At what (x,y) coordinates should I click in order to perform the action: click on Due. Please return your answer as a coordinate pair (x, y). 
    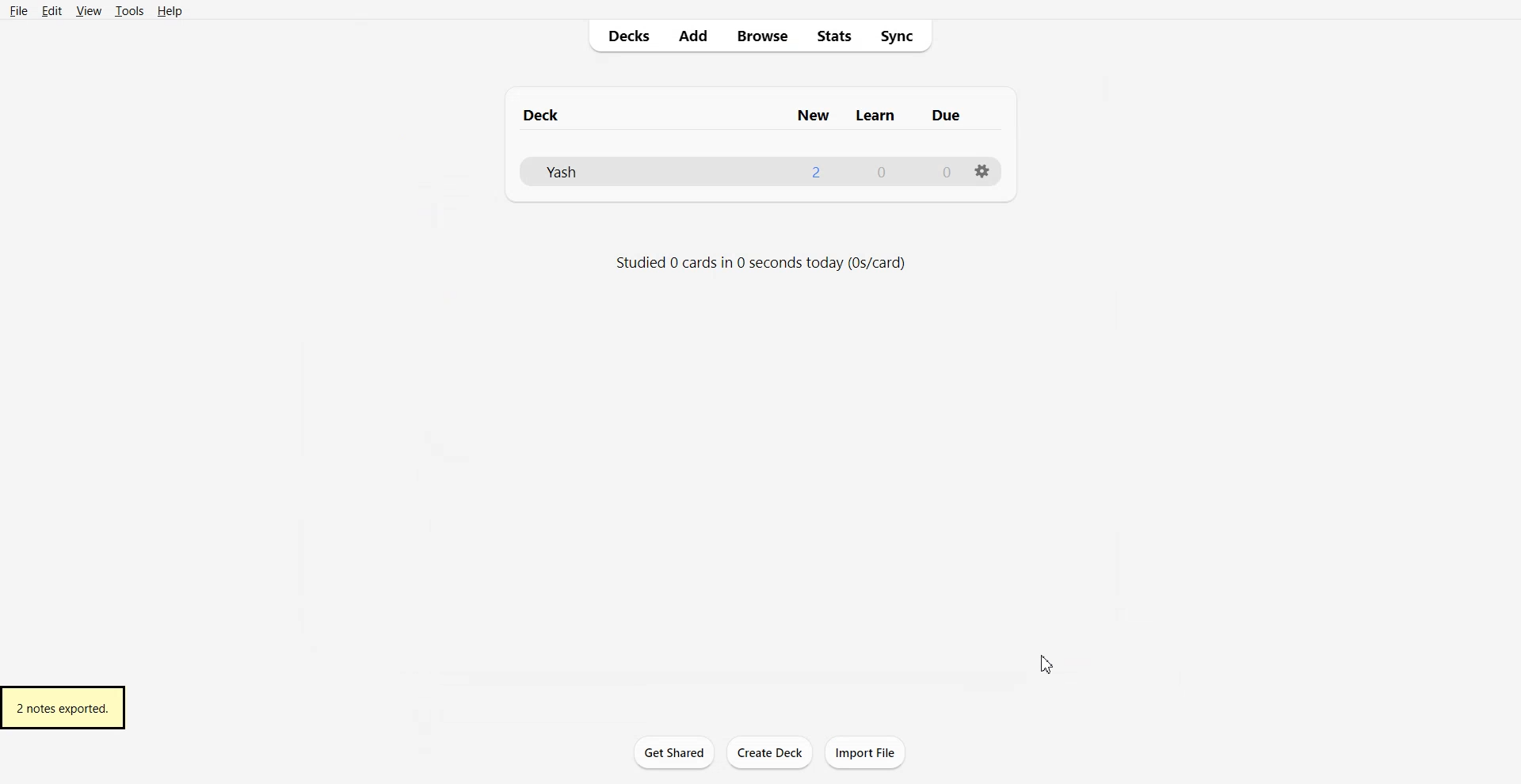
    Looking at the image, I should click on (948, 115).